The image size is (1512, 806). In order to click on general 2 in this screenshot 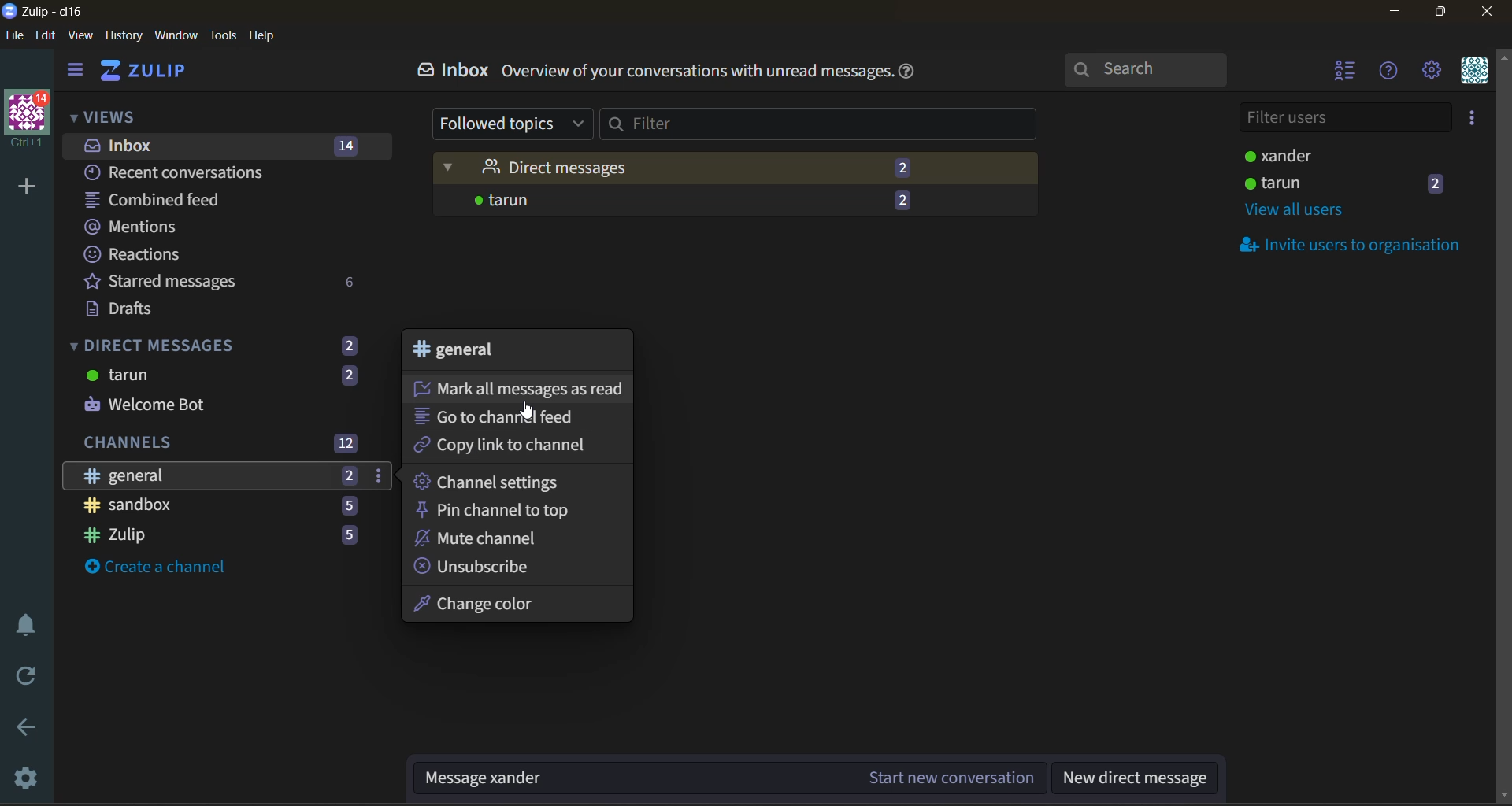, I will do `click(230, 477)`.